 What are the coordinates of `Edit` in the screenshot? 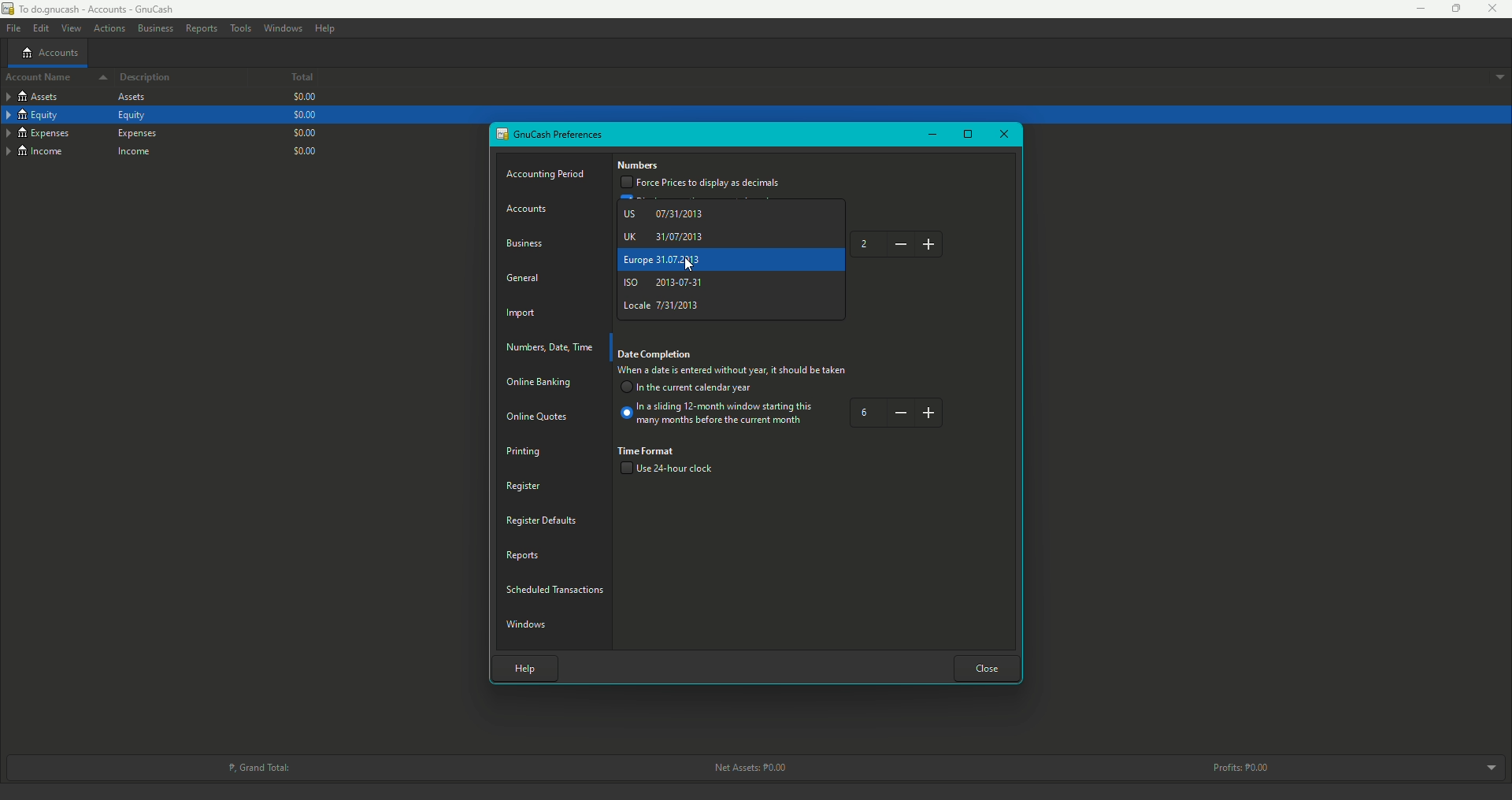 It's located at (39, 28).